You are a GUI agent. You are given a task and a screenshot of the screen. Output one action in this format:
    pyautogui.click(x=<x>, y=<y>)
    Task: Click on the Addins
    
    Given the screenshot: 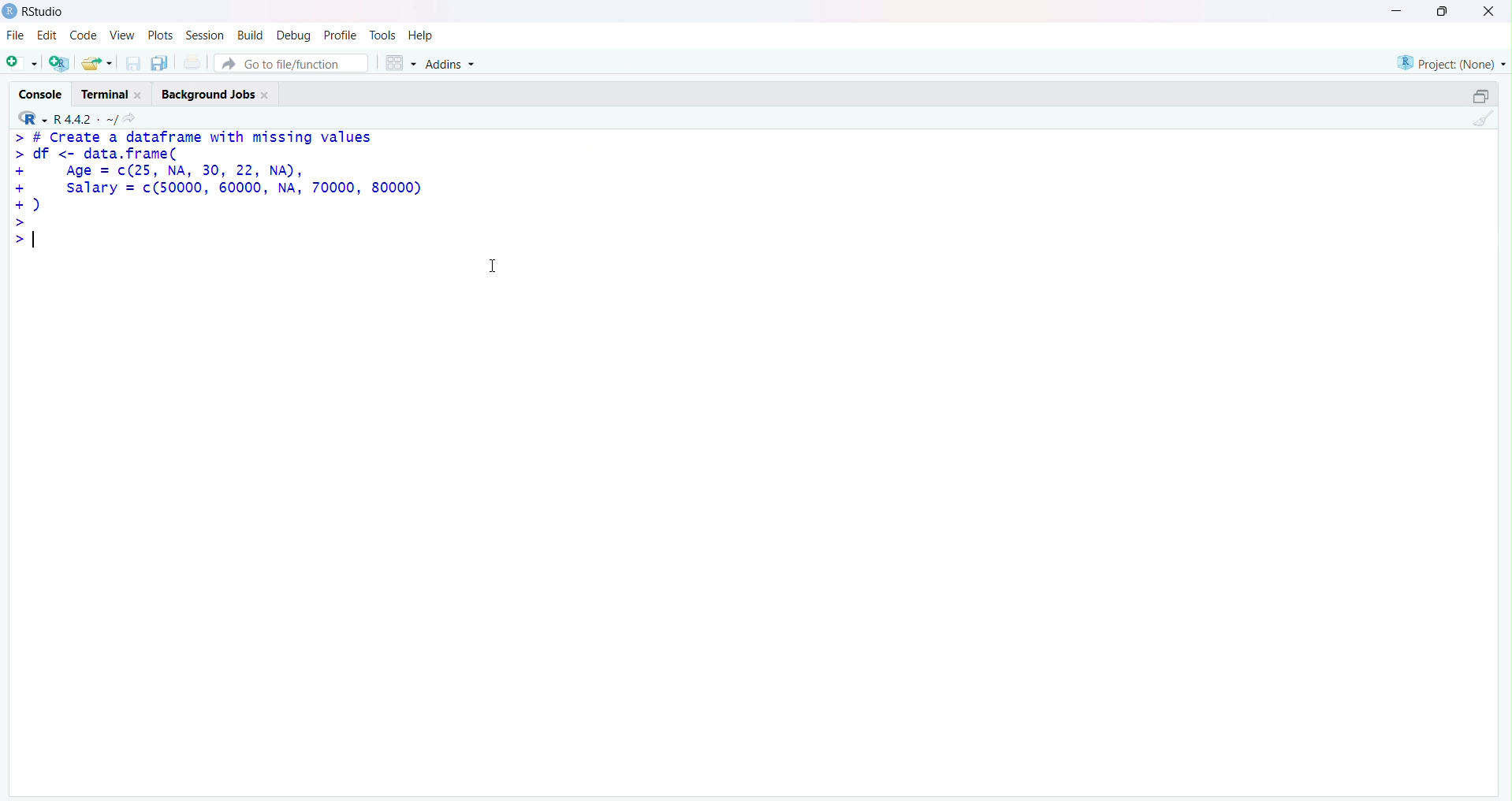 What is the action you would take?
    pyautogui.click(x=450, y=61)
    